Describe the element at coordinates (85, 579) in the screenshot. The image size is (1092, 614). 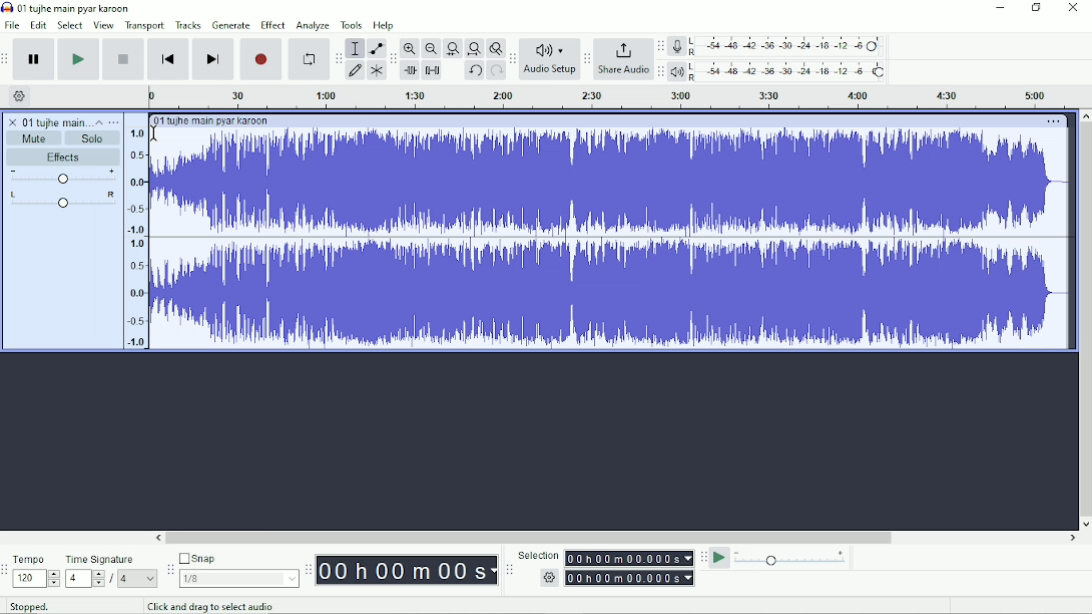
I see `4` at that location.